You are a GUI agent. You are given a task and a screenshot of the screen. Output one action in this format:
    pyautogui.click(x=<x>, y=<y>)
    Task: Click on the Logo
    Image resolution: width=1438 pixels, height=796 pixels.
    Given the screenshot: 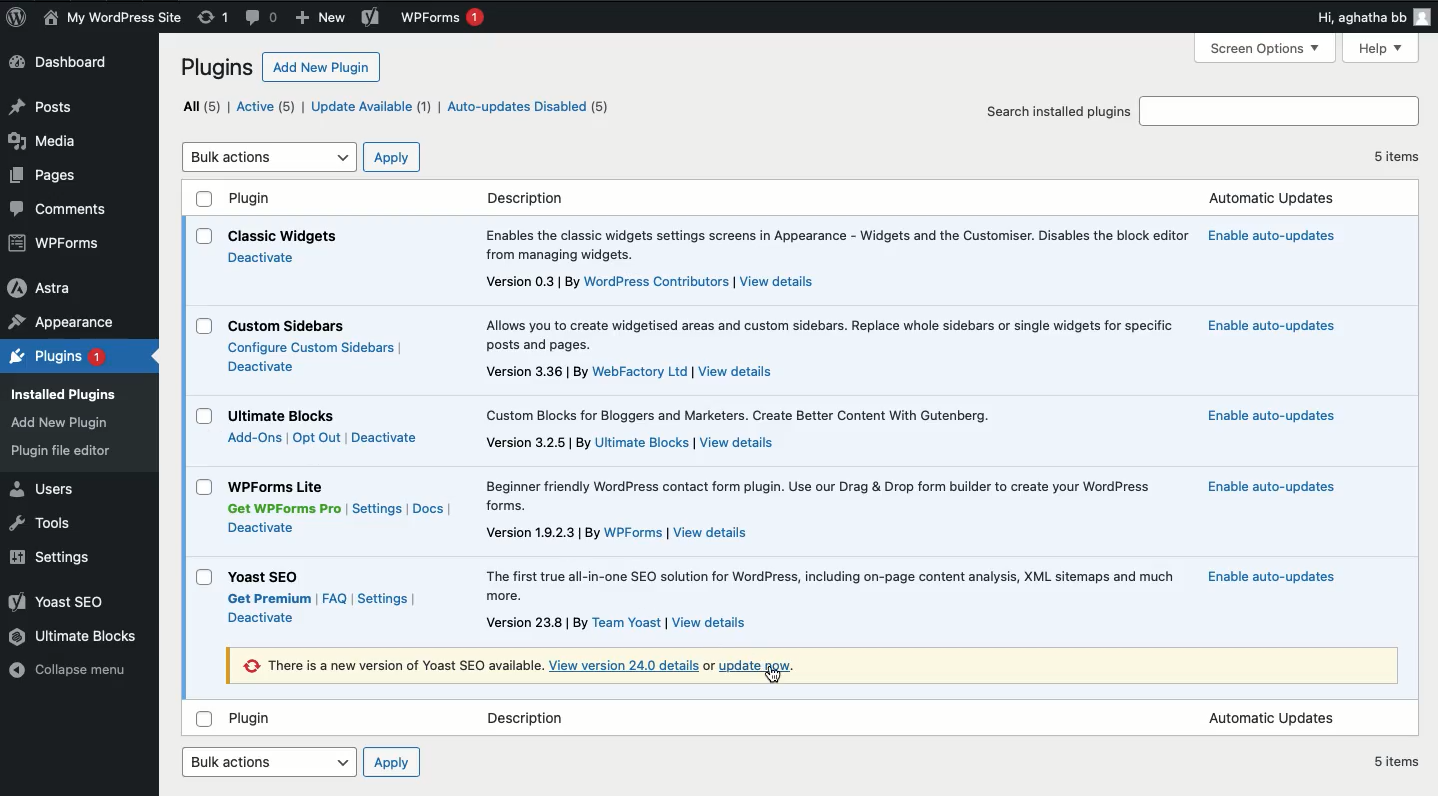 What is the action you would take?
    pyautogui.click(x=17, y=18)
    